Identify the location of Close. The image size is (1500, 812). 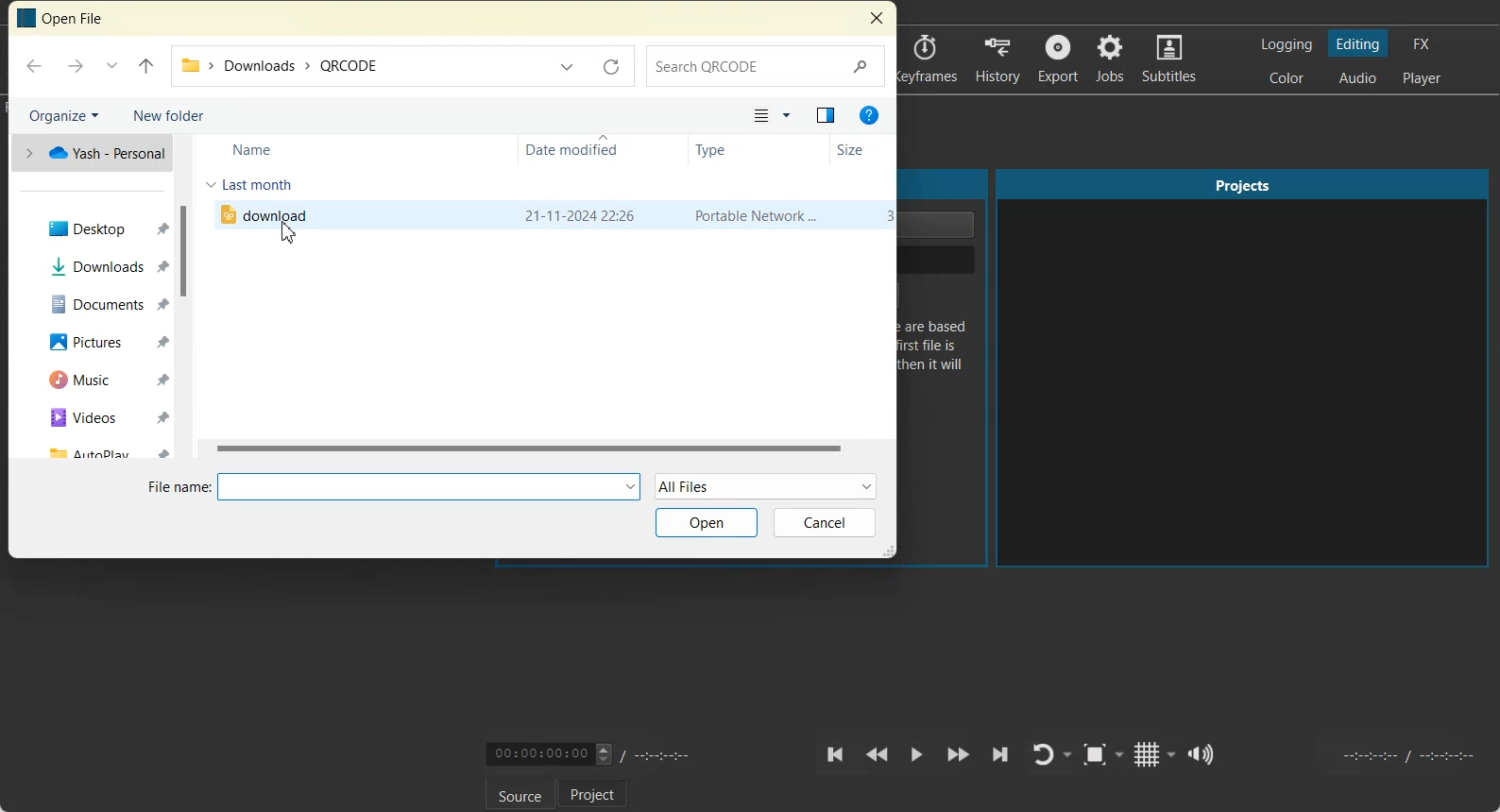
(876, 19).